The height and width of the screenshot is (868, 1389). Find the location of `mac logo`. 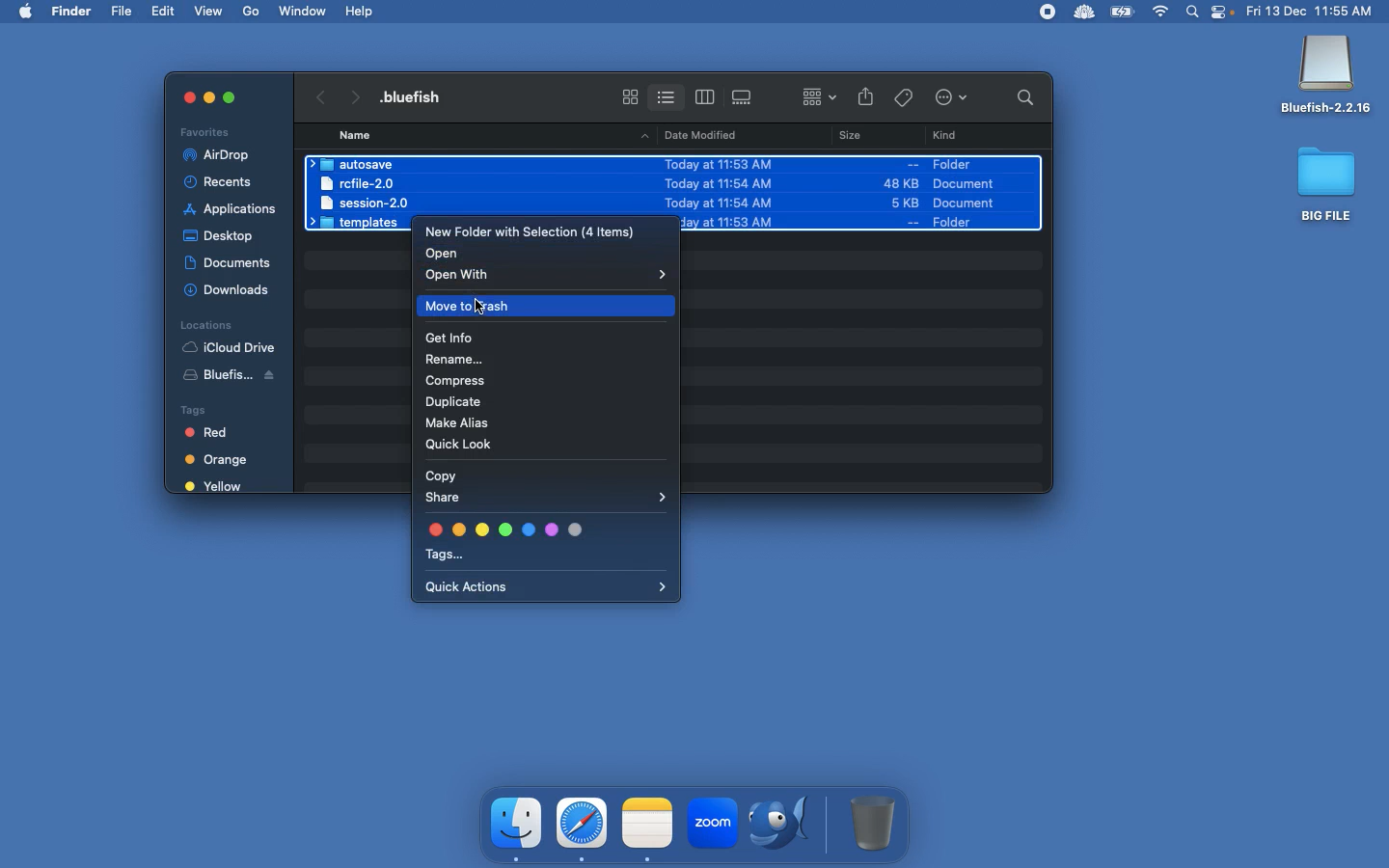

mac logo is located at coordinates (25, 10).